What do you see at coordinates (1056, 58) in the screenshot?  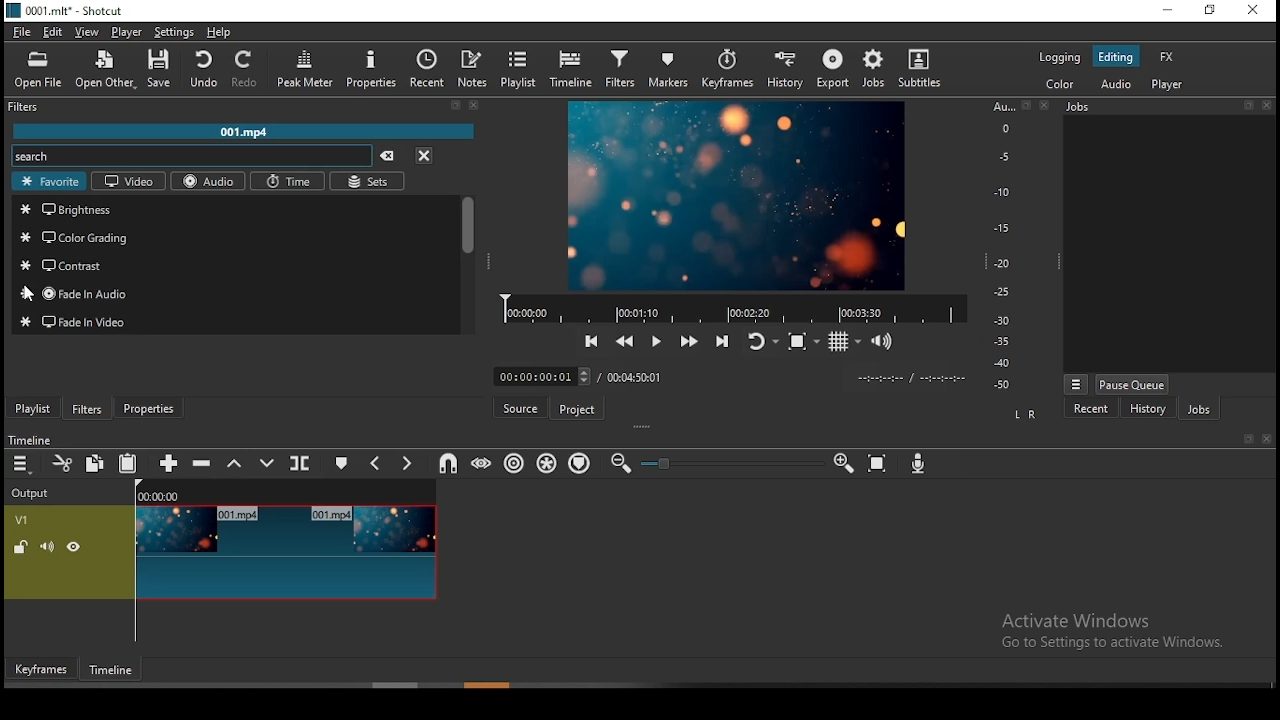 I see `logging` at bounding box center [1056, 58].